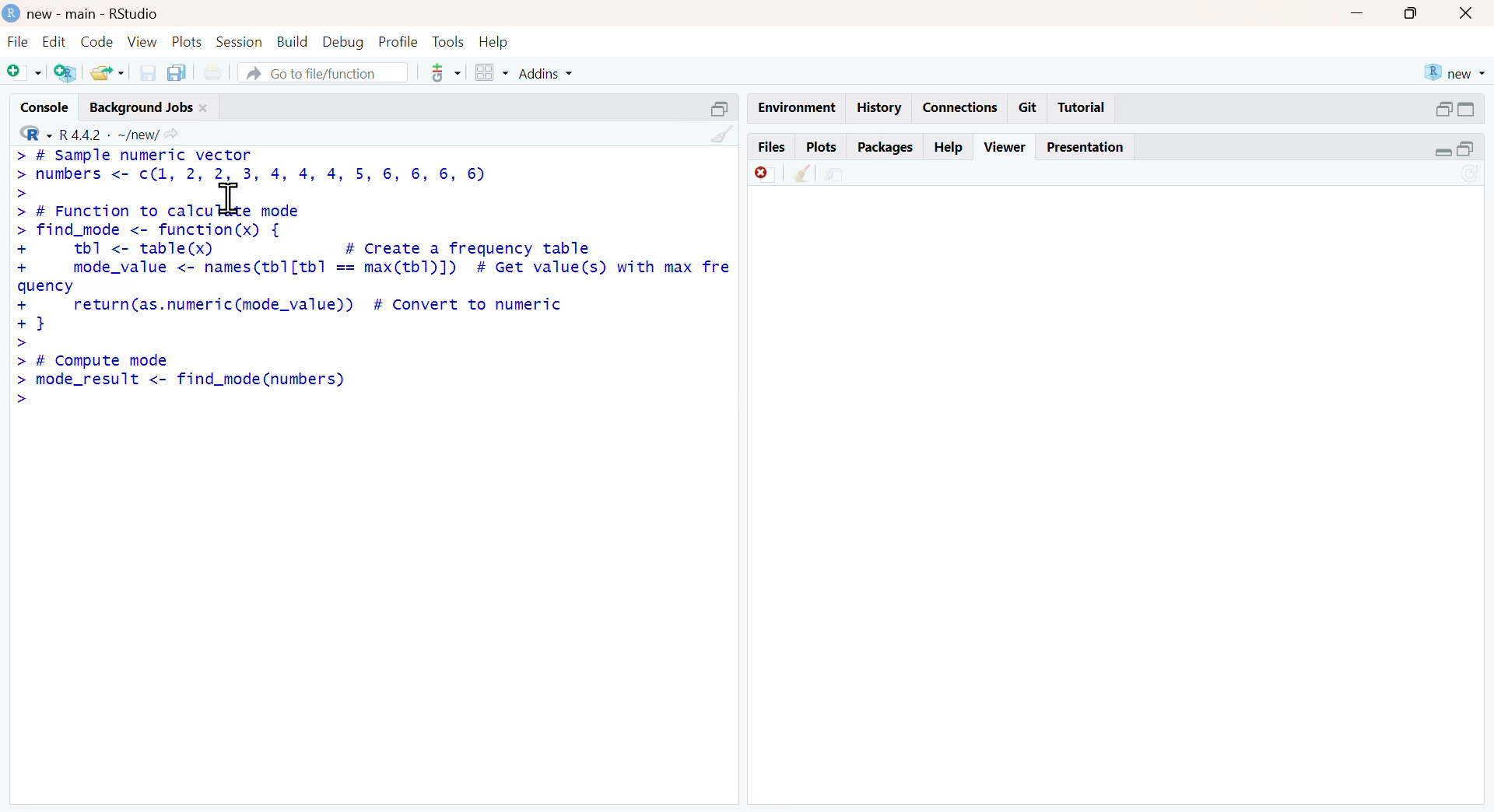 This screenshot has width=1494, height=812. Describe the element at coordinates (400, 42) in the screenshot. I see `profile` at that location.